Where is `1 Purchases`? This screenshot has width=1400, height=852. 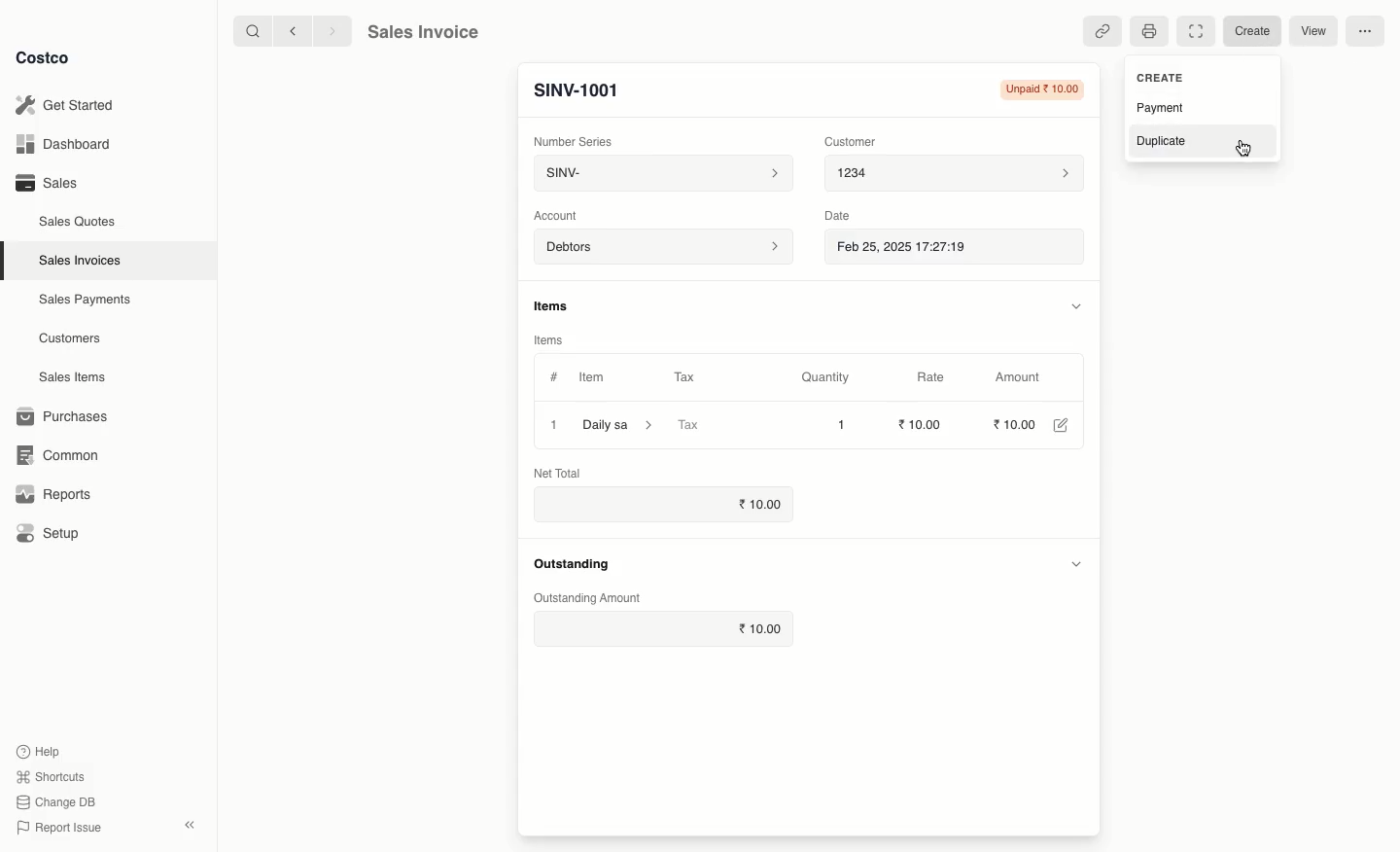 1 Purchases is located at coordinates (67, 417).